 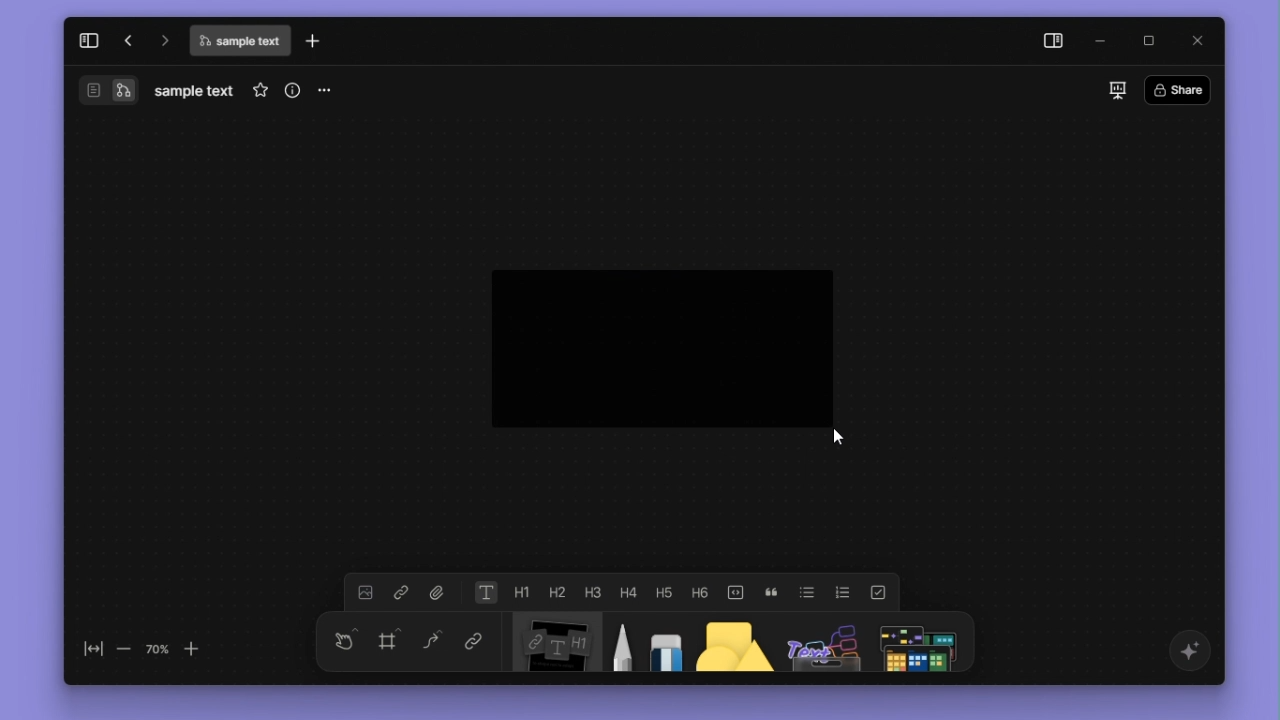 I want to click on shape, so click(x=726, y=644).